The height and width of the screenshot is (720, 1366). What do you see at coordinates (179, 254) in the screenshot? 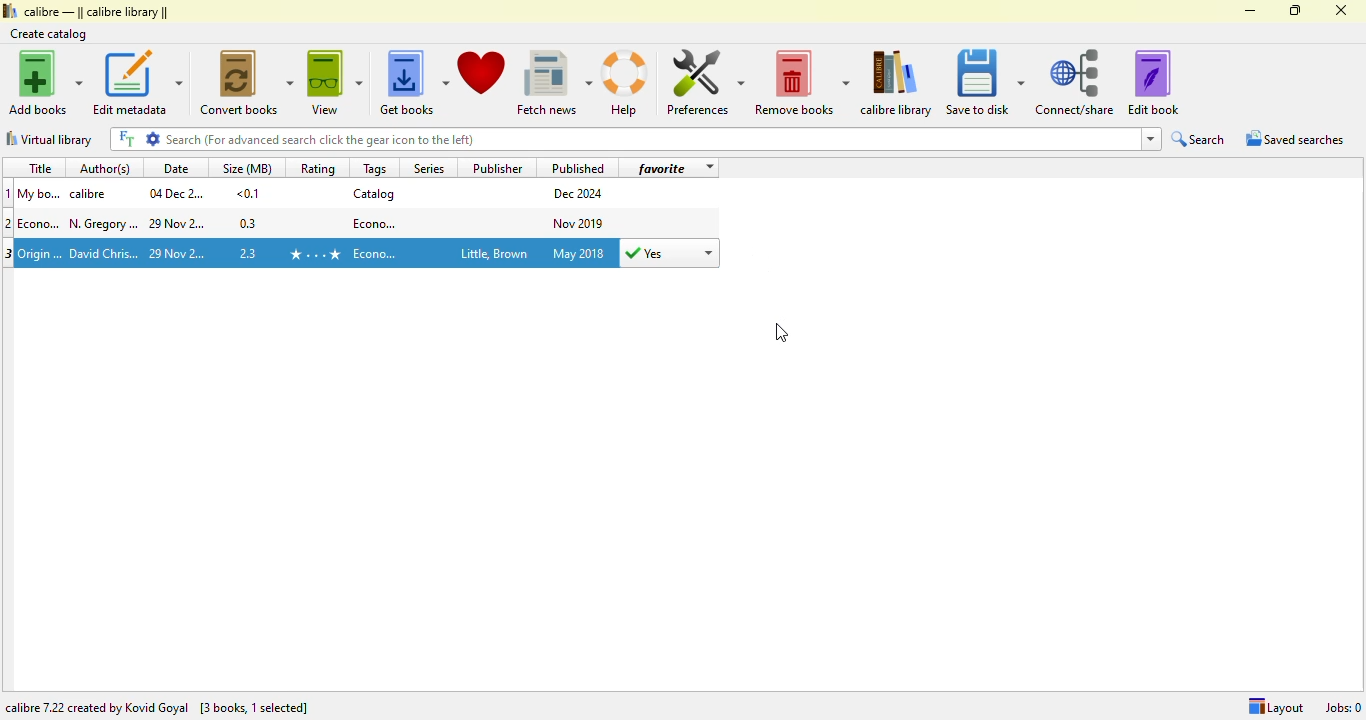
I see `date` at bounding box center [179, 254].